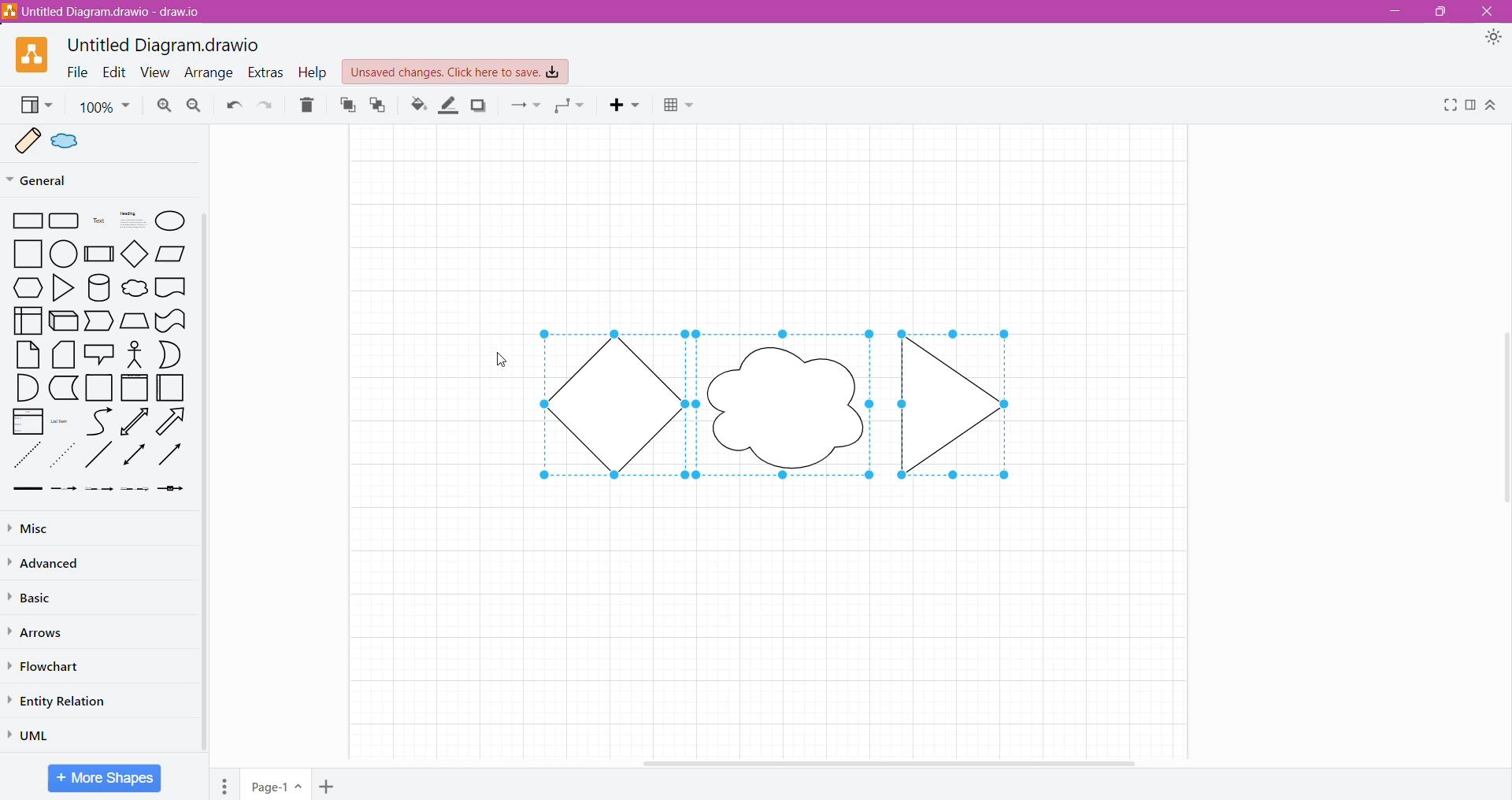  What do you see at coordinates (1395, 12) in the screenshot?
I see `Minimize` at bounding box center [1395, 12].